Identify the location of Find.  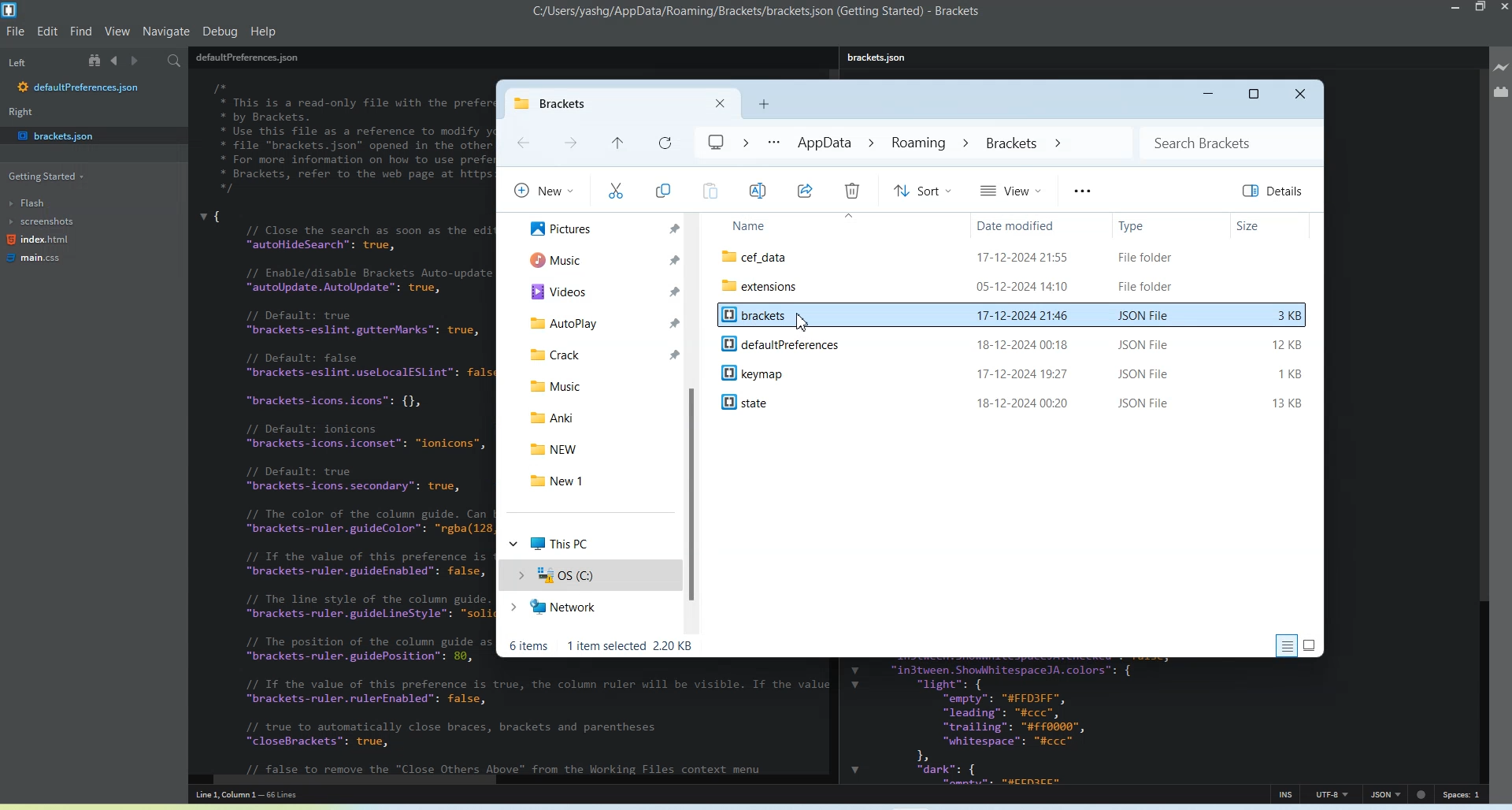
(82, 32).